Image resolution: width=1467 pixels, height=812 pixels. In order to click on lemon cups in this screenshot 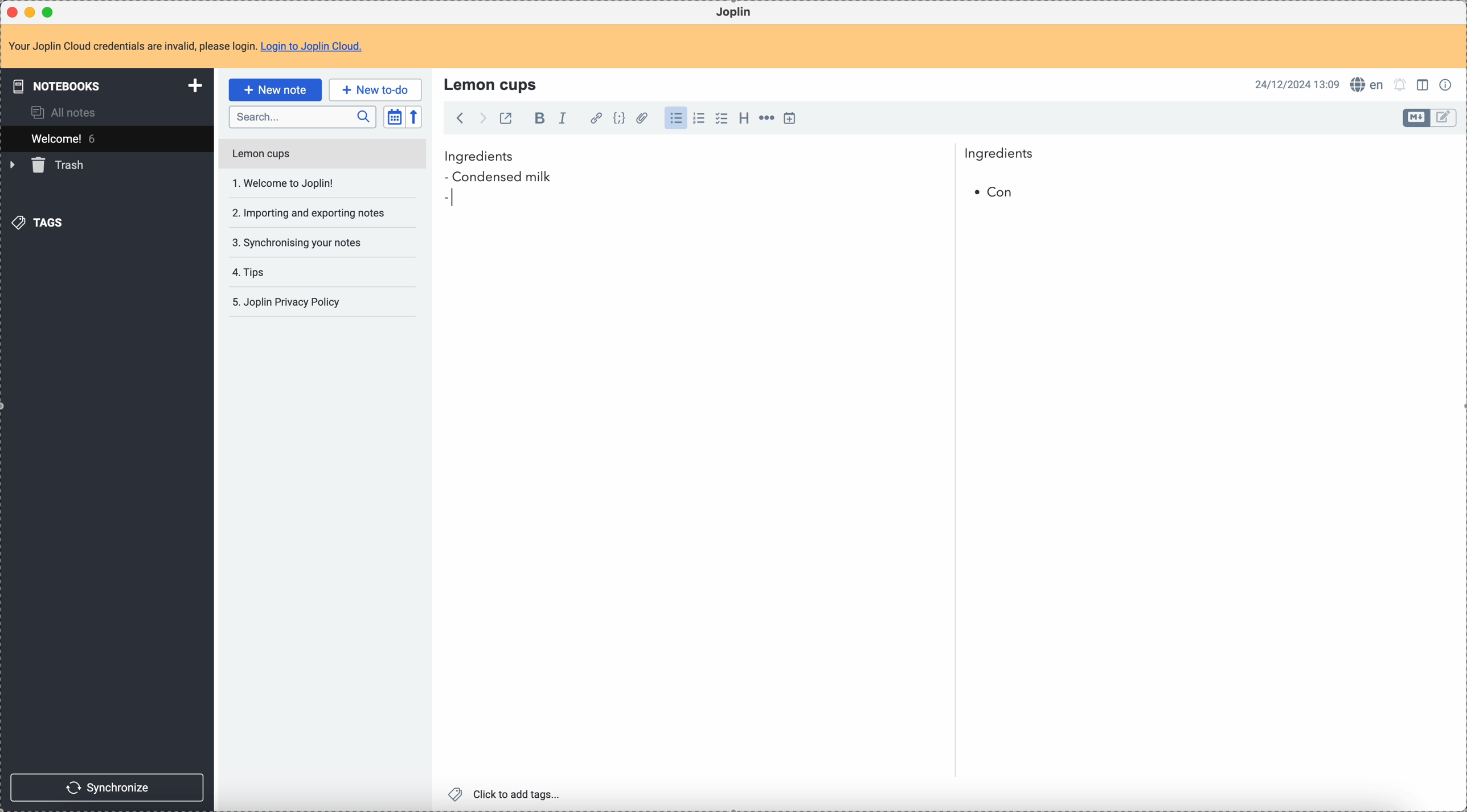, I will do `click(493, 84)`.